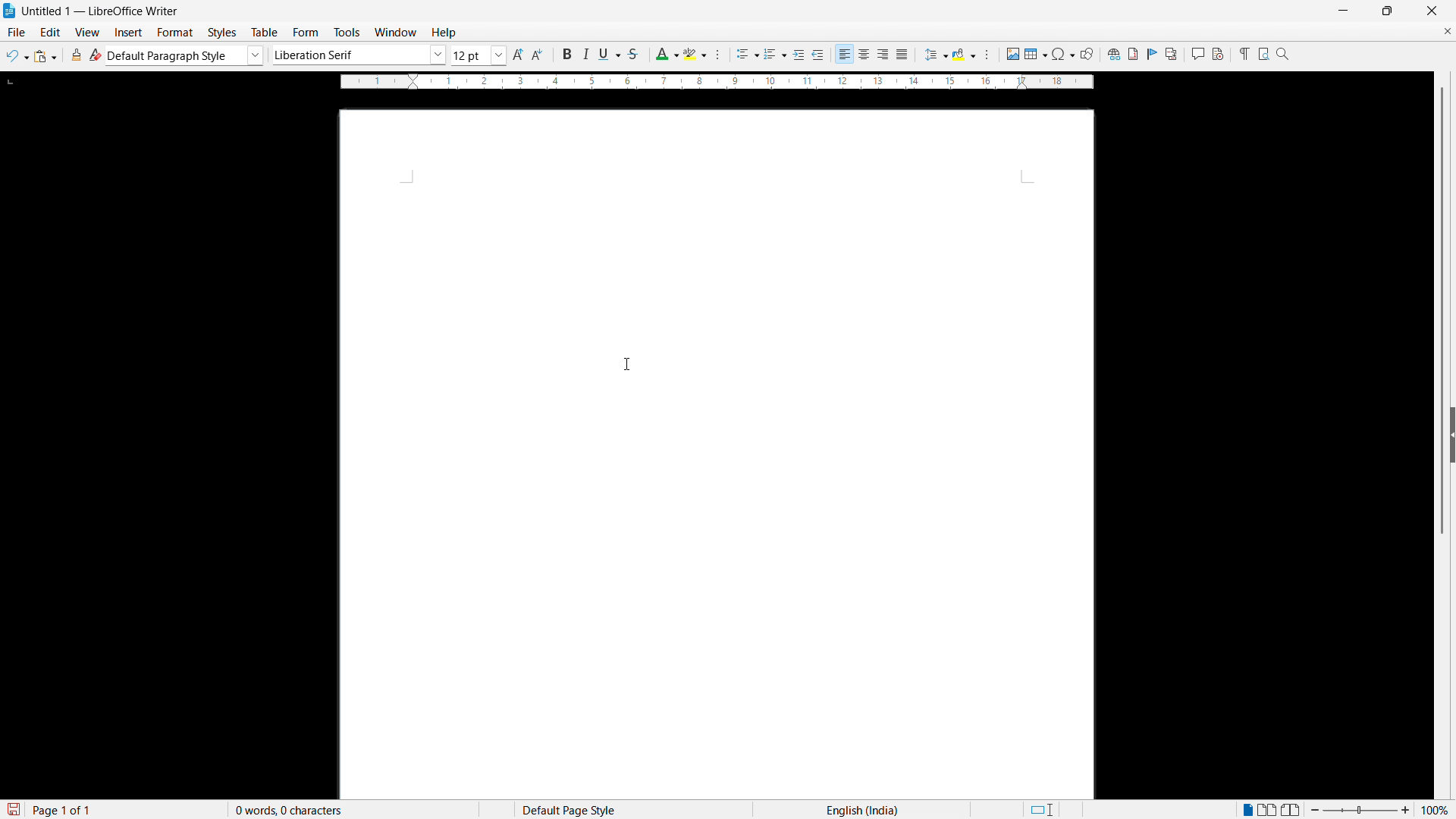  What do you see at coordinates (1437, 809) in the screenshot?
I see `Zoom percentage ` at bounding box center [1437, 809].